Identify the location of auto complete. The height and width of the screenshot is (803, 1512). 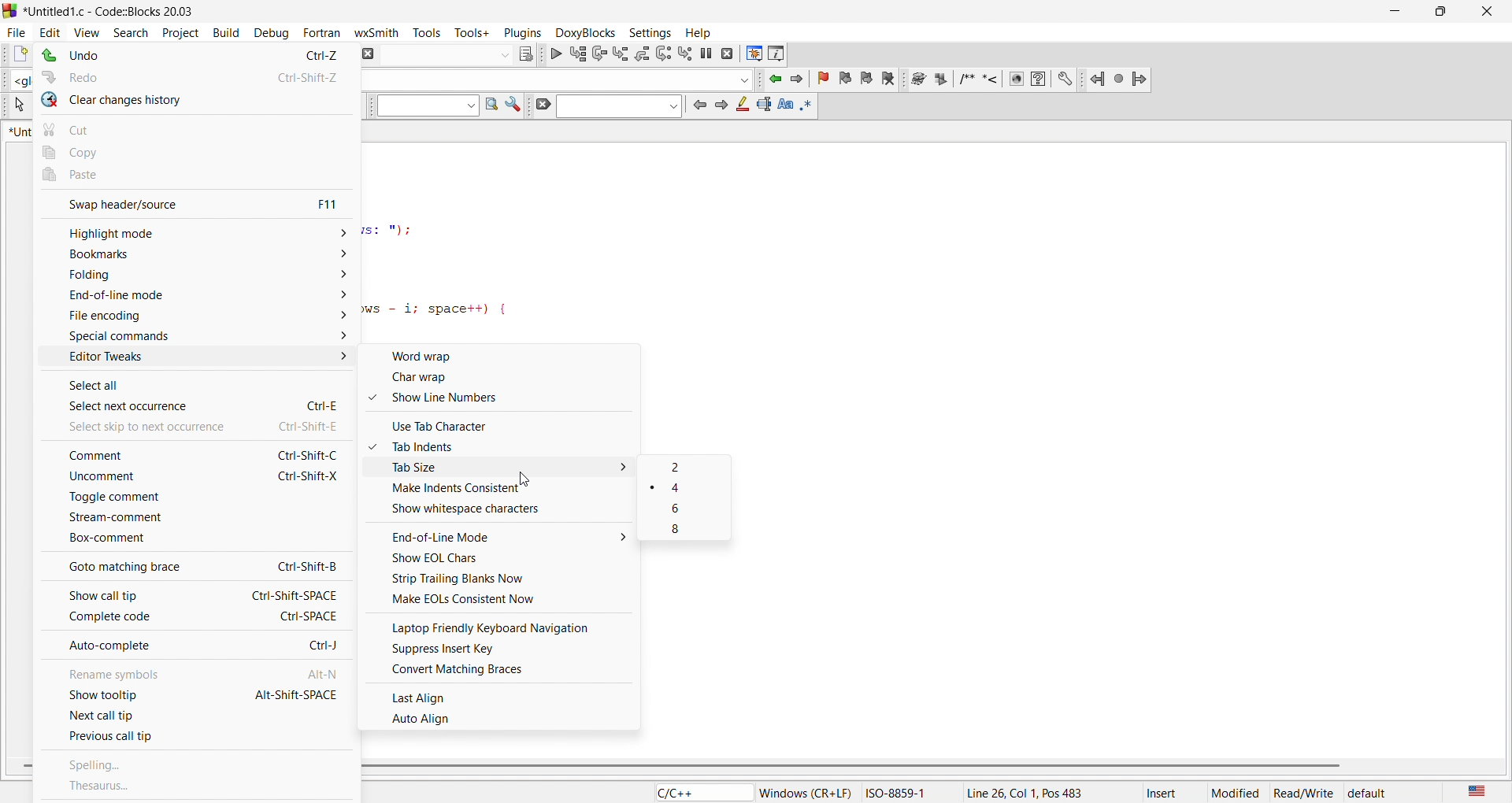
(145, 646).